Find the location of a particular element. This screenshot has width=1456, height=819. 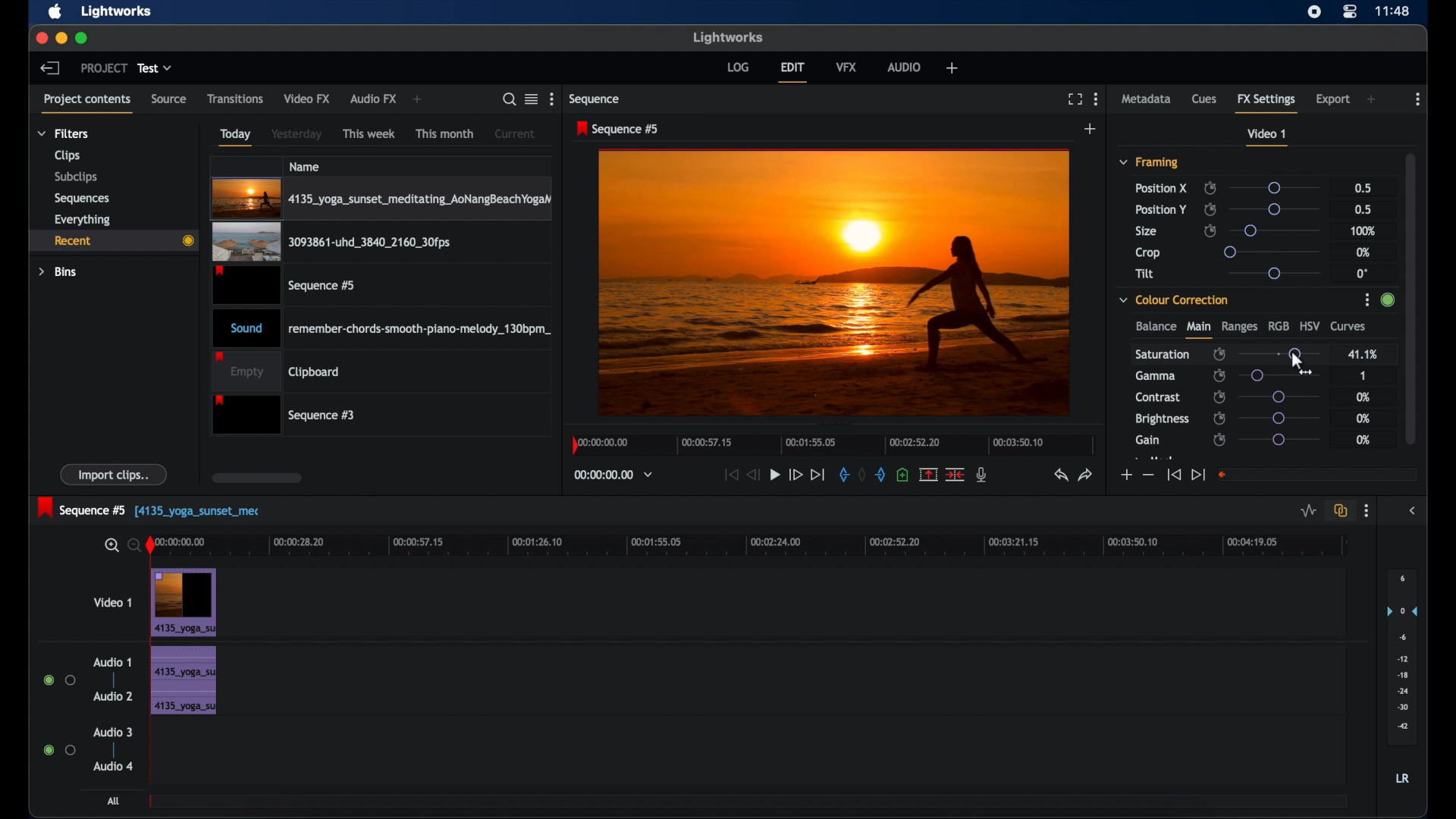

all is located at coordinates (114, 801).